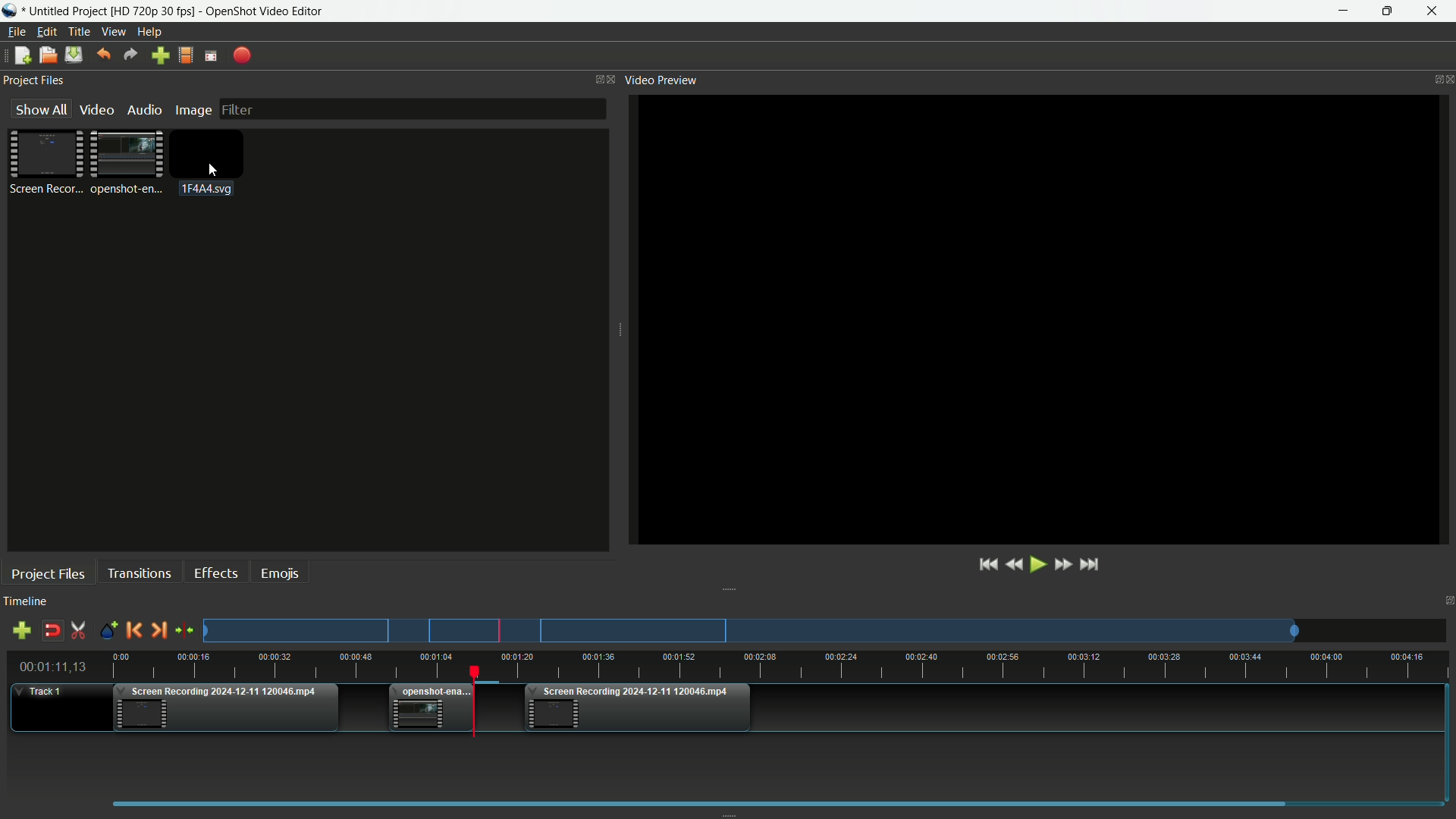 The image size is (1456, 819). I want to click on Profile, so click(184, 57).